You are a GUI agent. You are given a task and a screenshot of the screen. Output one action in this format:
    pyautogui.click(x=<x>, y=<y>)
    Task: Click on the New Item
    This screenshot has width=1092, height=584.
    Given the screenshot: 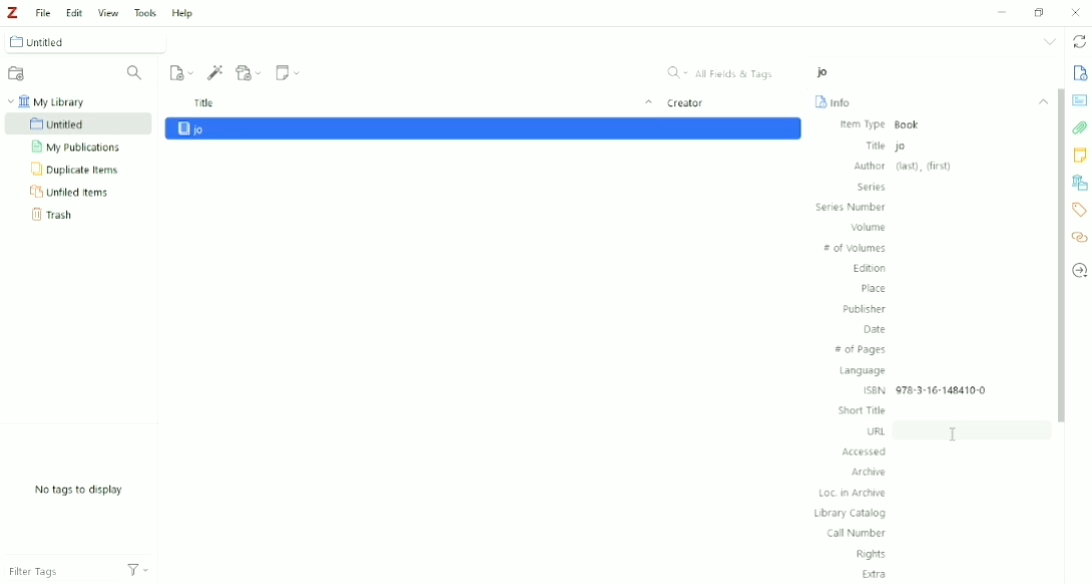 What is the action you would take?
    pyautogui.click(x=180, y=72)
    